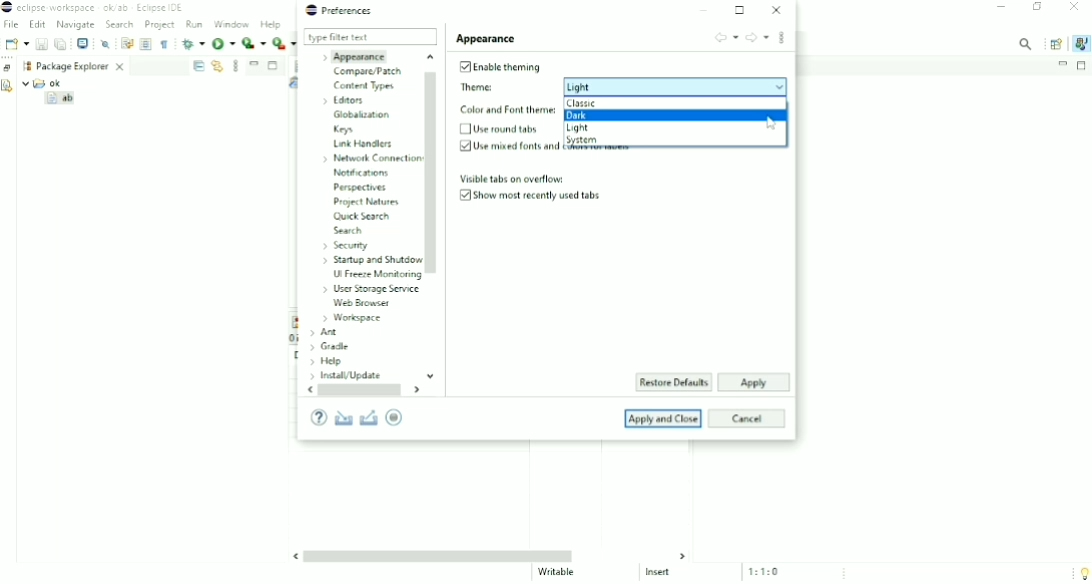  Describe the element at coordinates (121, 25) in the screenshot. I see `Search` at that location.